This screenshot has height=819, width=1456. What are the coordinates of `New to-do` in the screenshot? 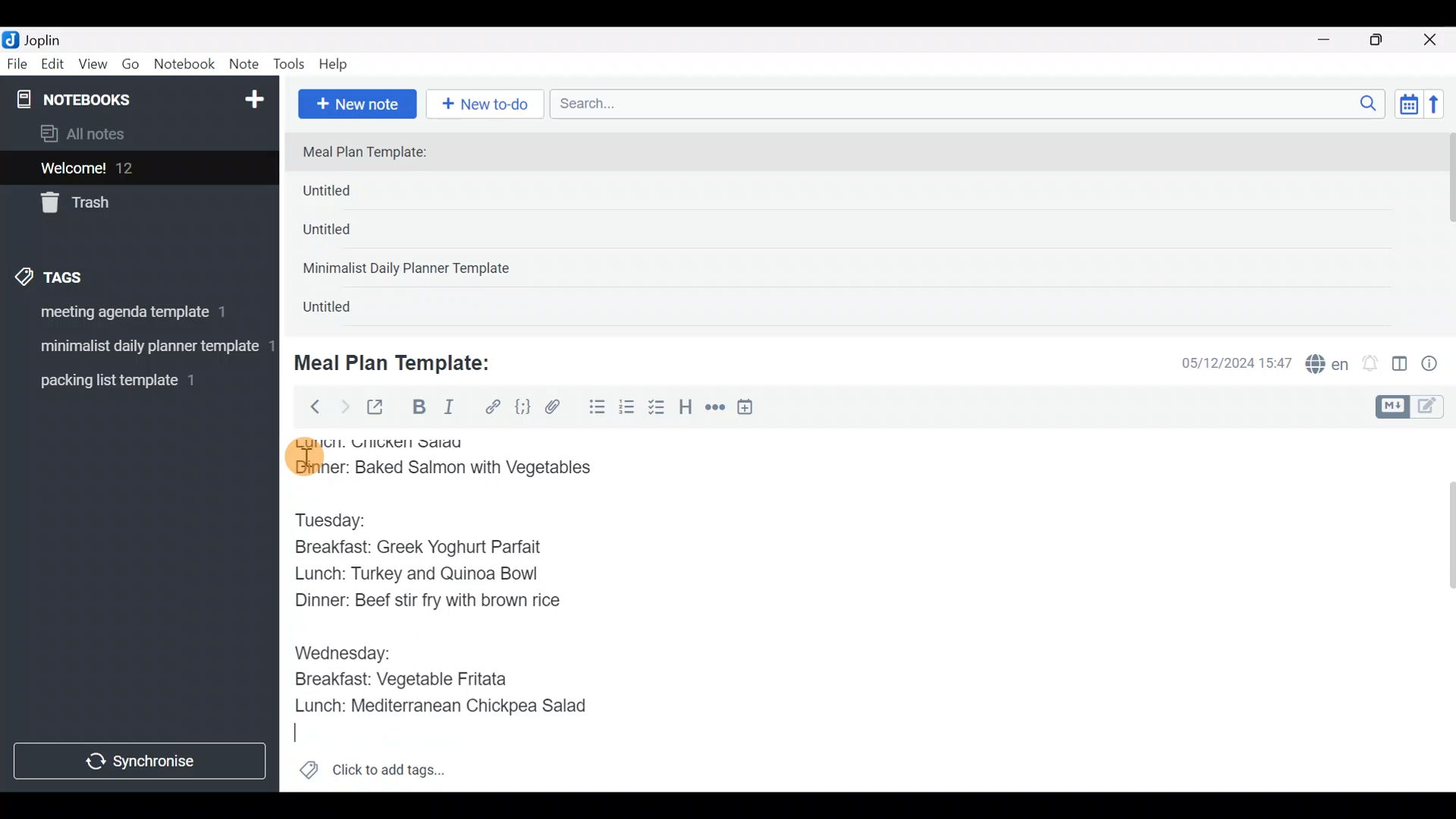 It's located at (488, 105).